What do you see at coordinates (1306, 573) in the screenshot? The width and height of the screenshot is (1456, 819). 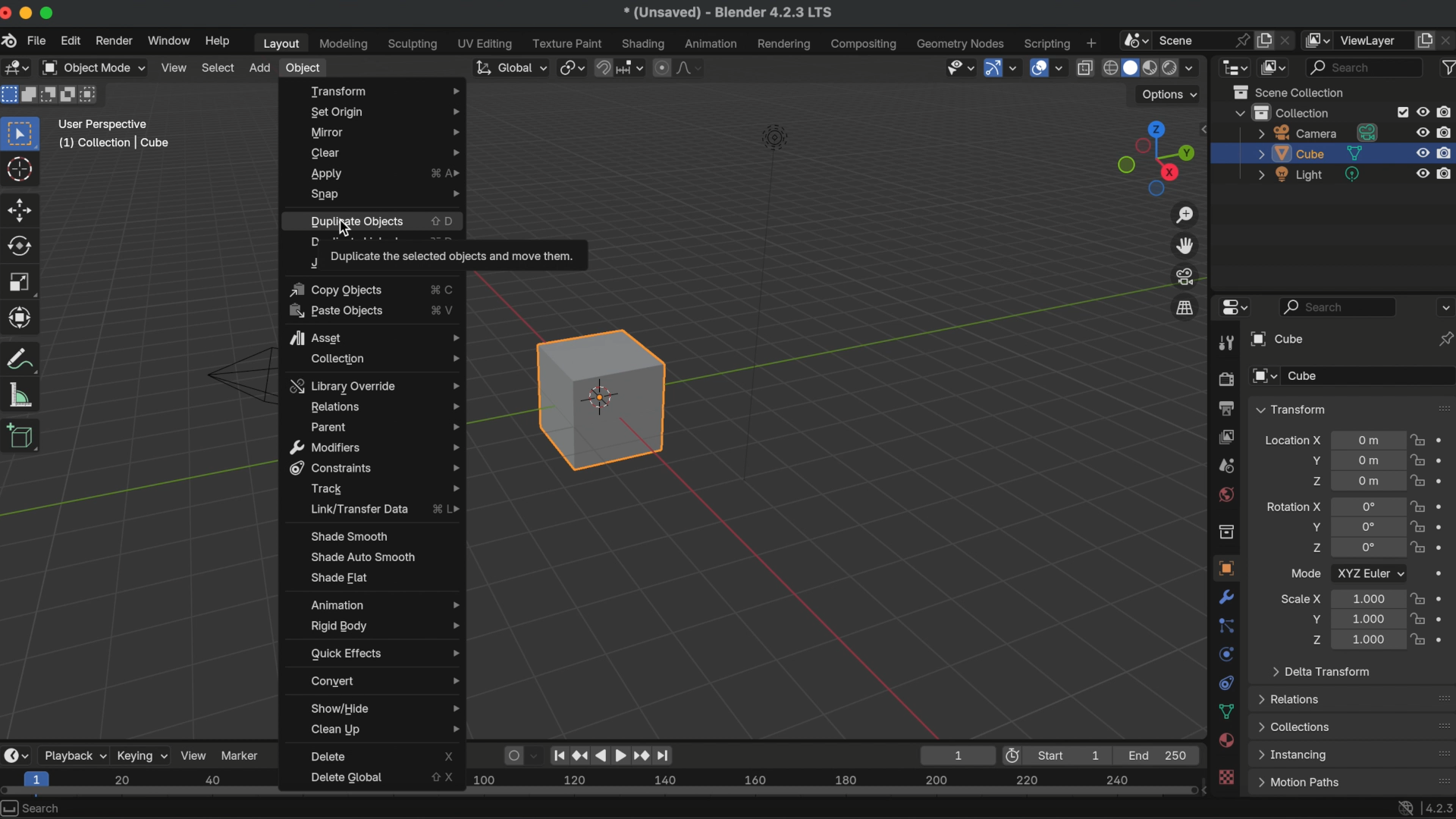 I see `Mode` at bounding box center [1306, 573].